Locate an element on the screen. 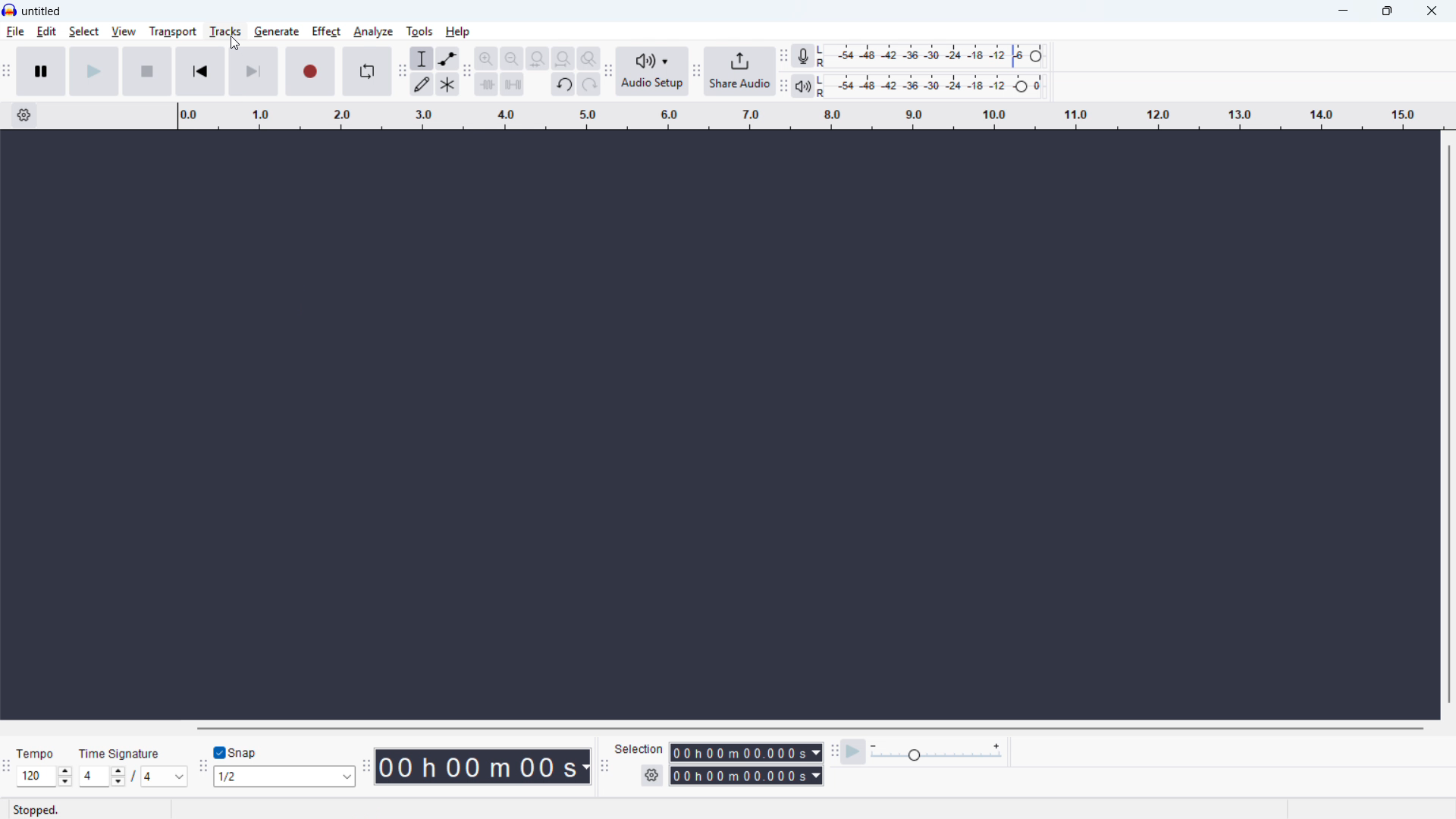 This screenshot has height=819, width=1456. Skip to end  is located at coordinates (255, 72).